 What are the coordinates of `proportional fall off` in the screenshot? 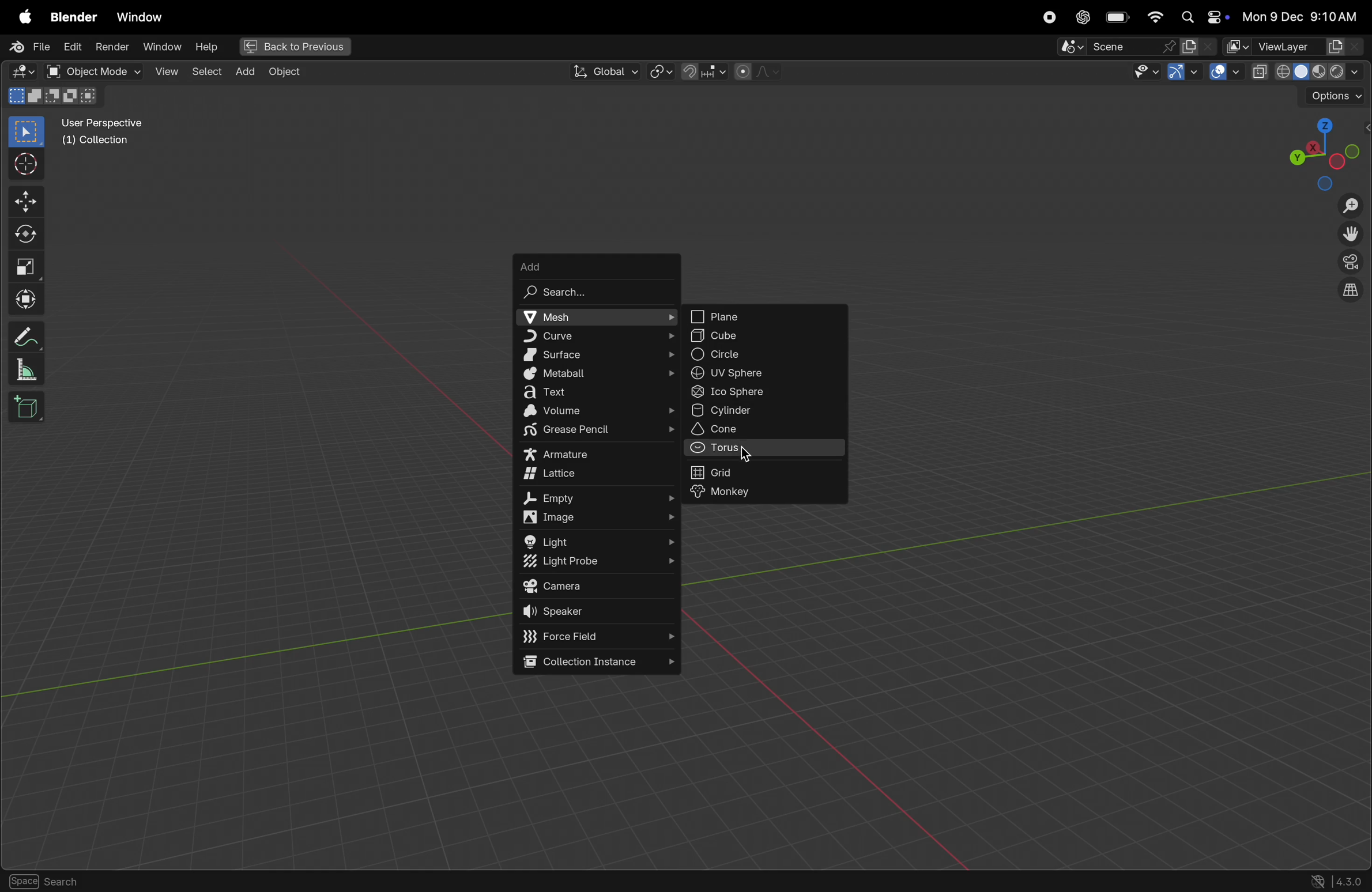 It's located at (756, 71).